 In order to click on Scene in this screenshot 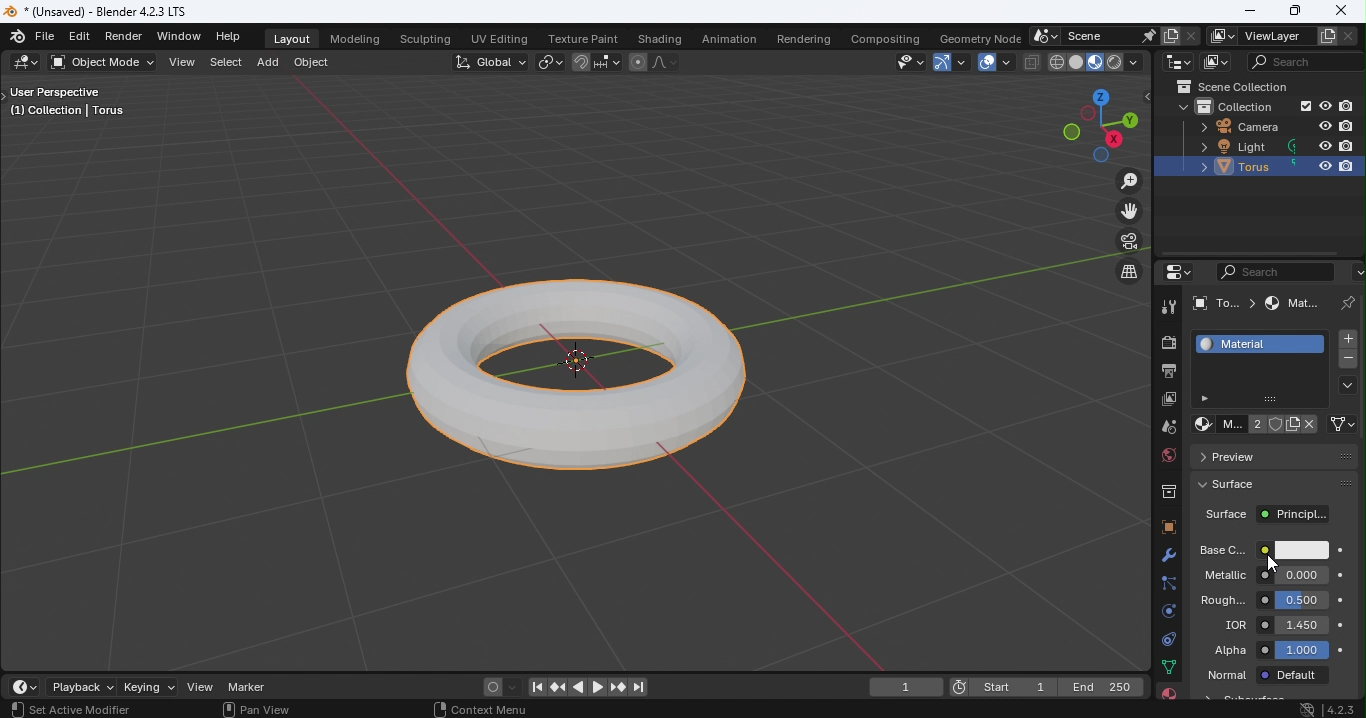, I will do `click(1093, 34)`.